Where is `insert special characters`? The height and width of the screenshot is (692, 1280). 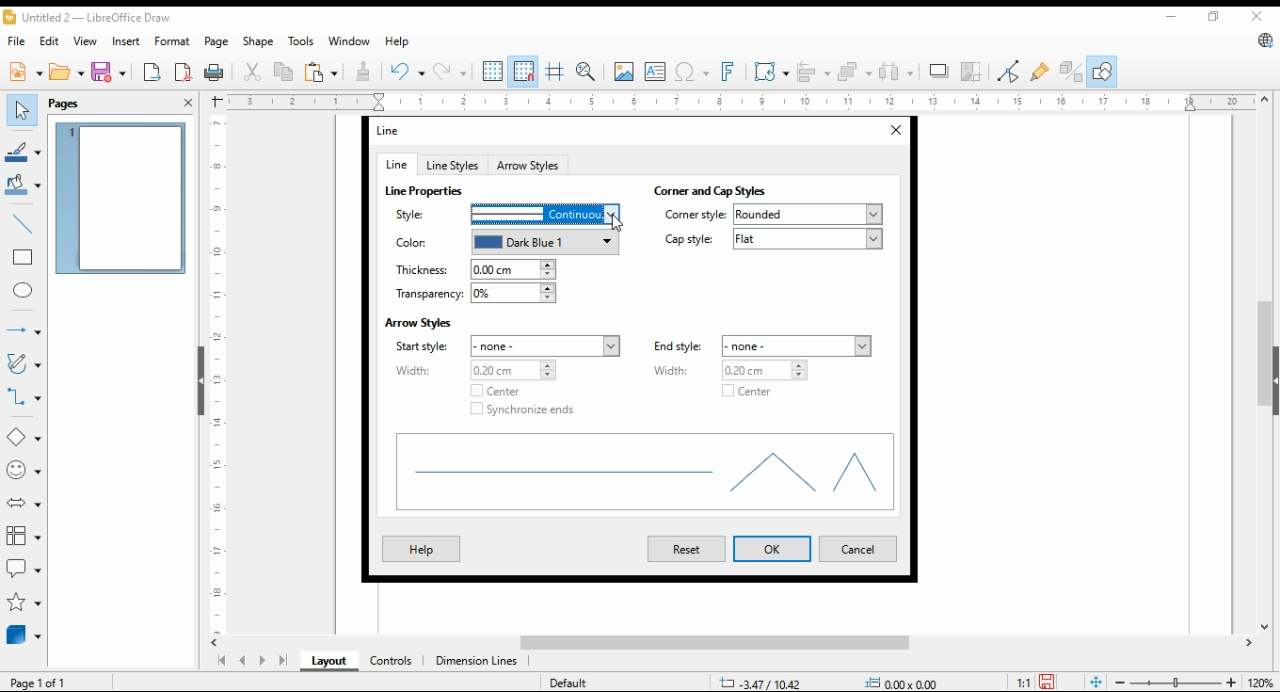 insert special characters is located at coordinates (690, 72).